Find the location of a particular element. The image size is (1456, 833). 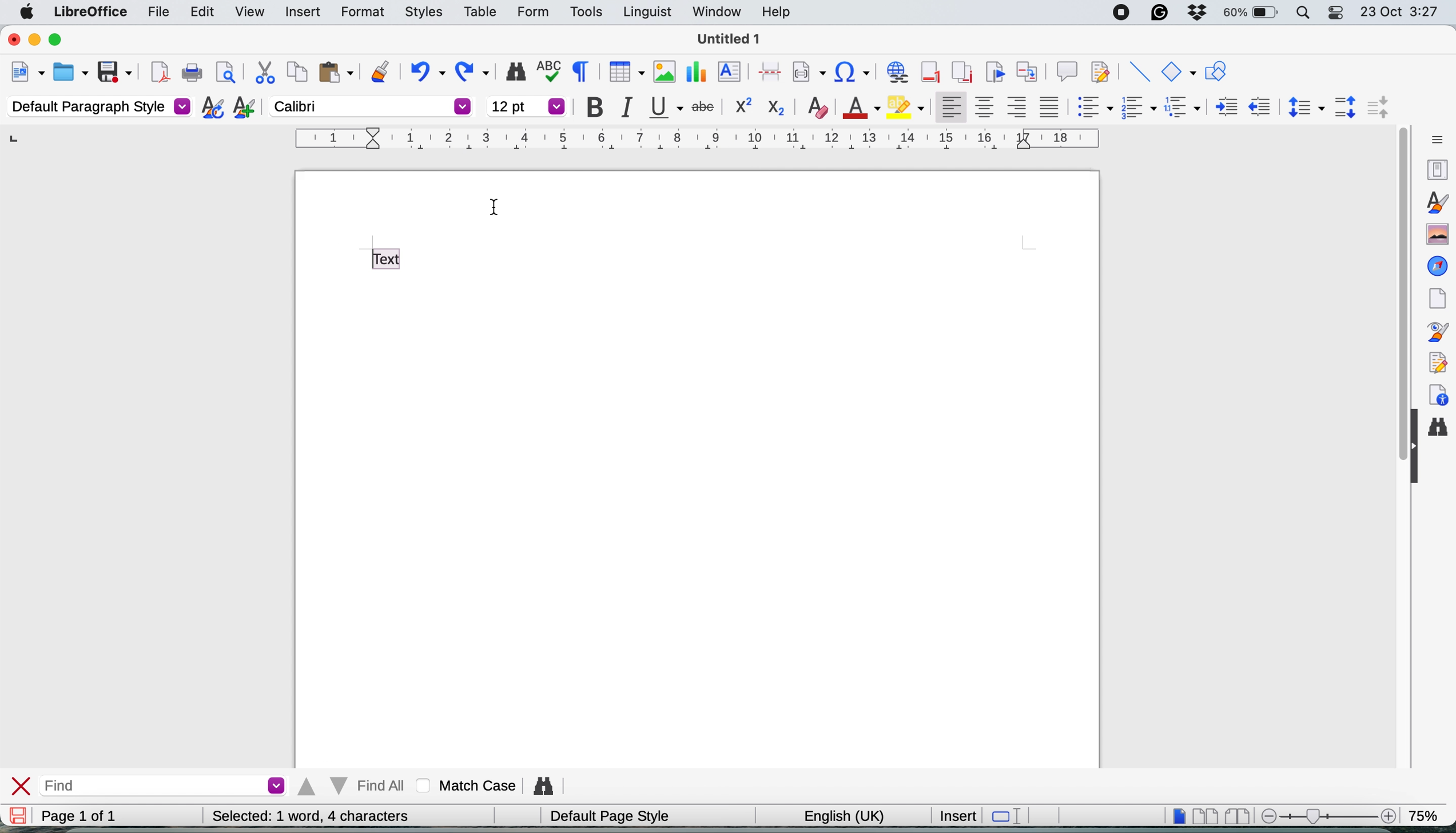

styles is located at coordinates (418, 13).